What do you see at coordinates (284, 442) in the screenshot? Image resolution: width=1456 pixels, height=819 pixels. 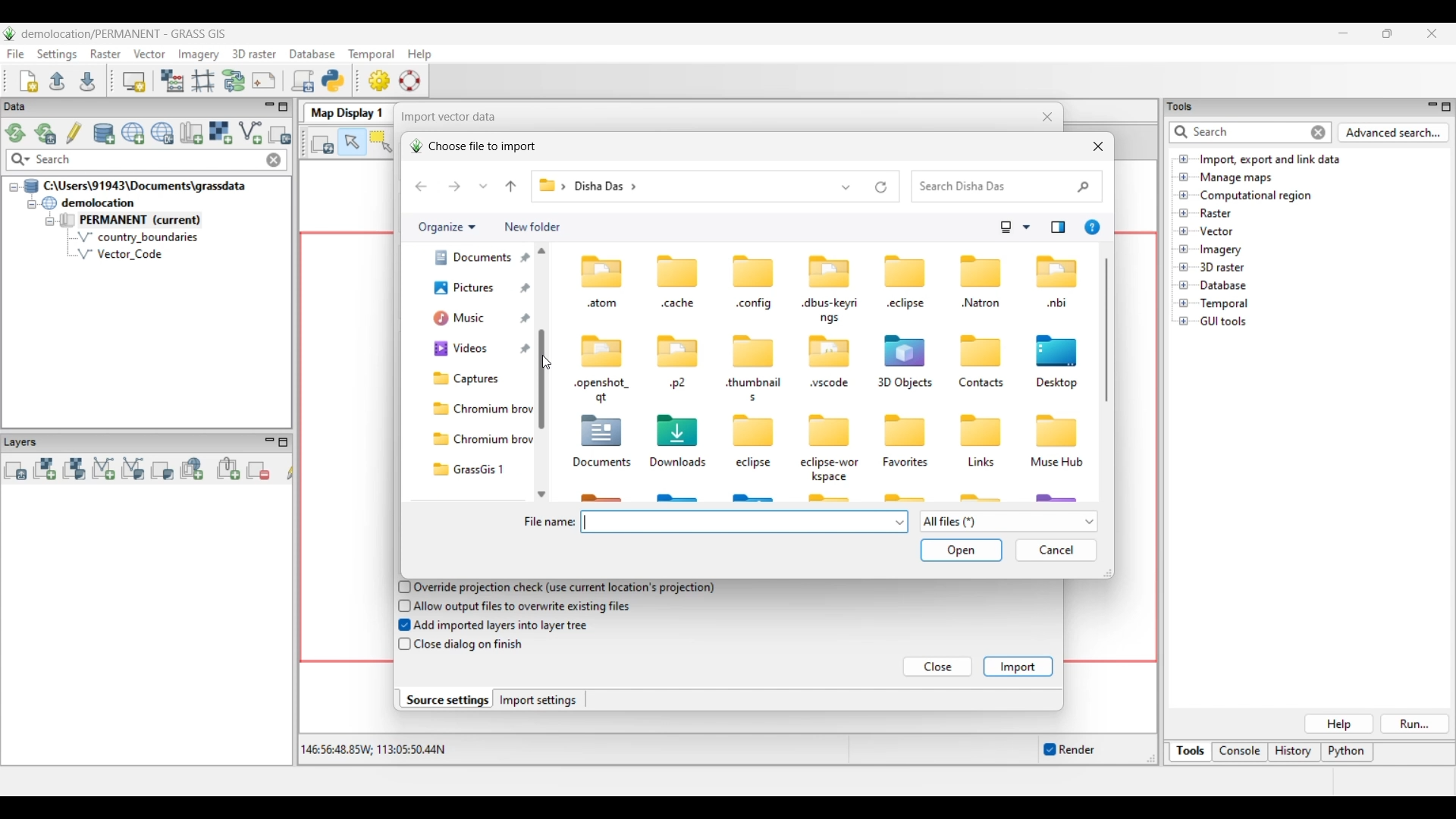 I see `Maximize Layers panel` at bounding box center [284, 442].